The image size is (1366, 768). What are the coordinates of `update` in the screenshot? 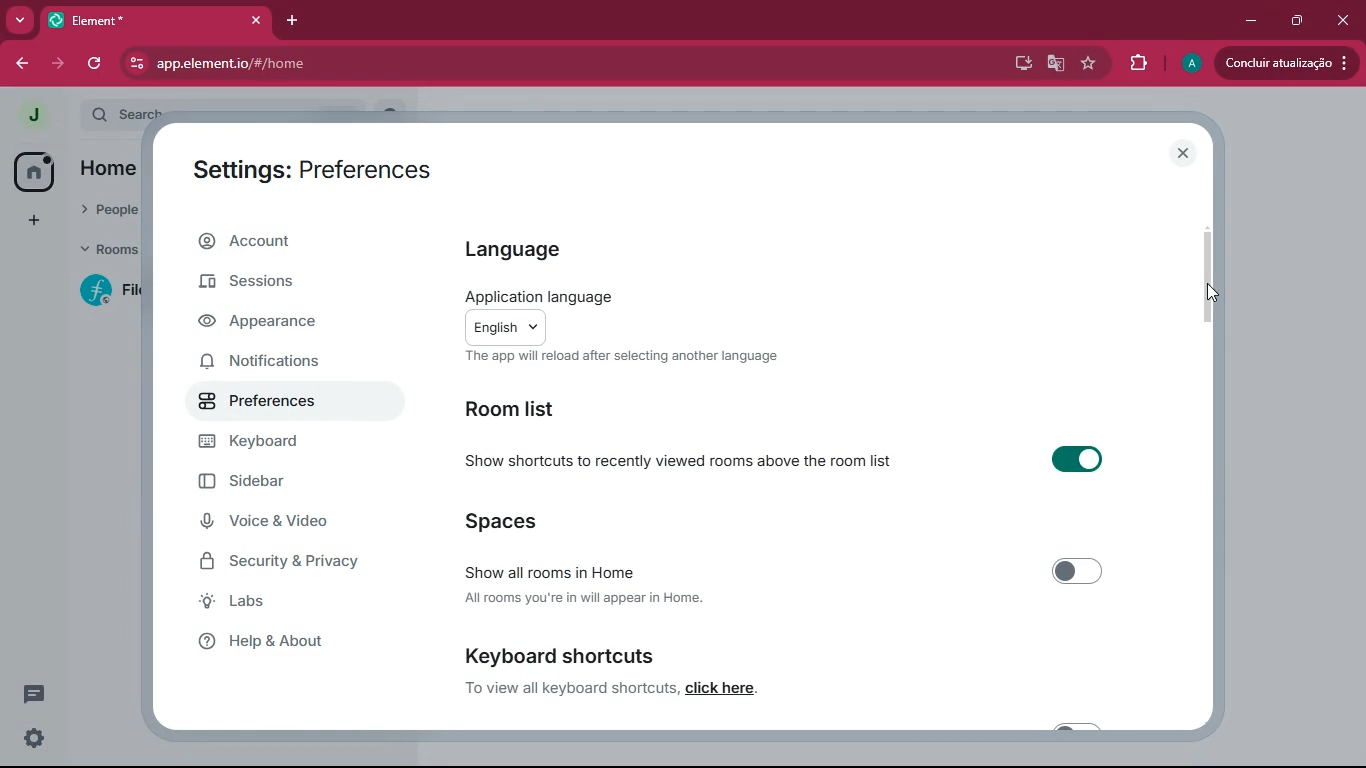 It's located at (1291, 64).